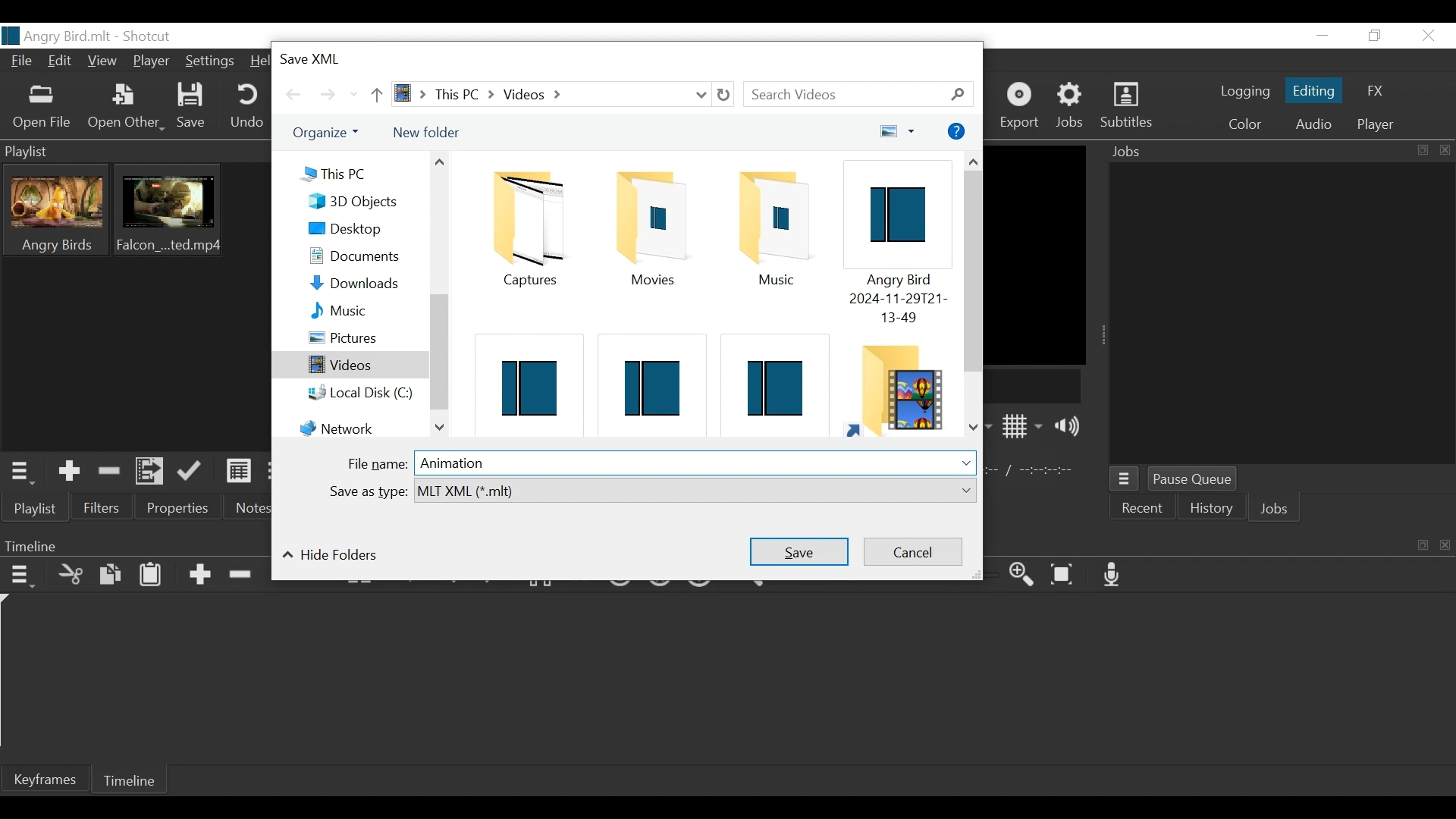 The height and width of the screenshot is (819, 1456). I want to click on Append, so click(199, 575).